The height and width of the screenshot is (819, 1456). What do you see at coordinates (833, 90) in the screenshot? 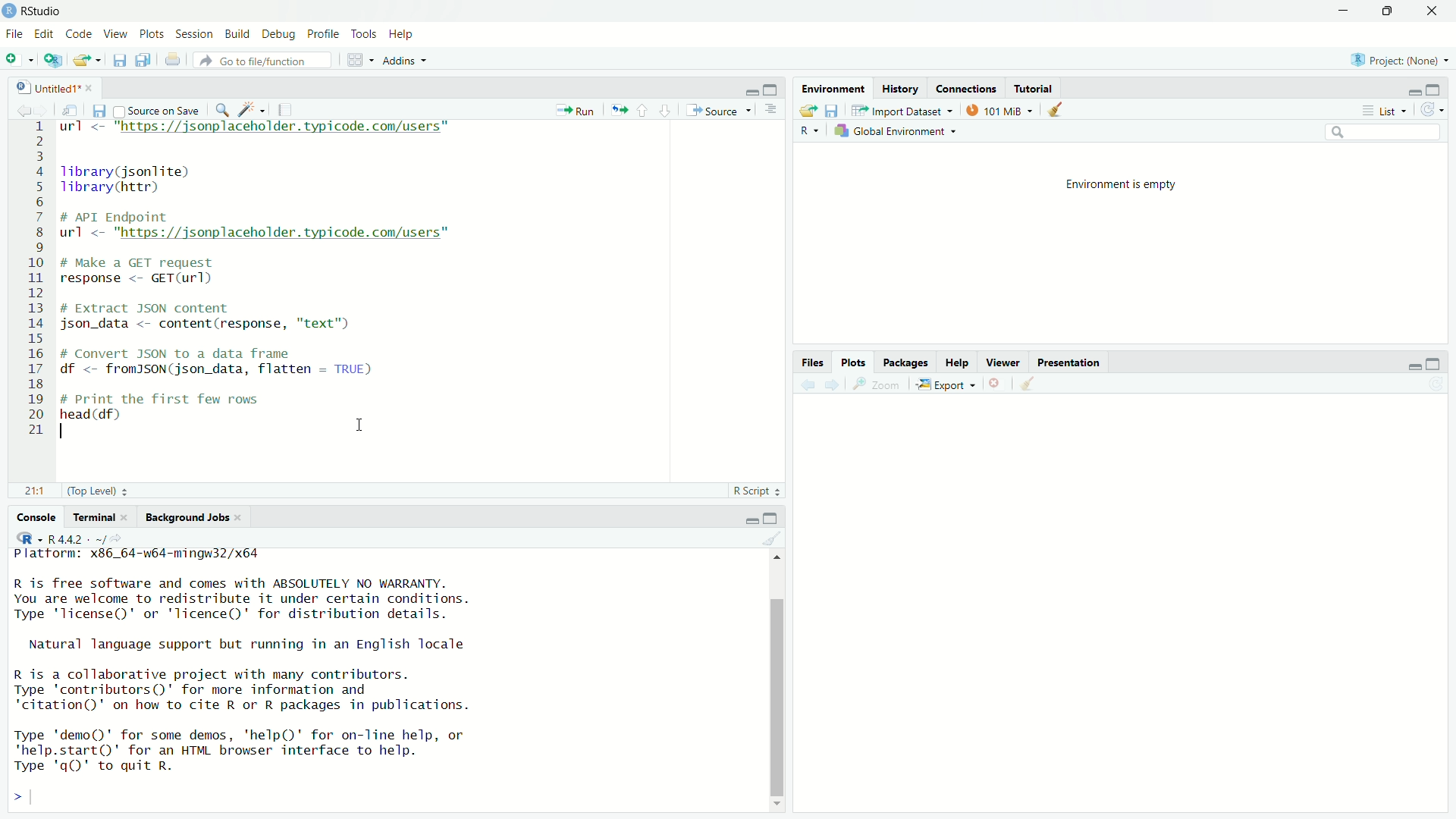
I see `Environment` at bounding box center [833, 90].